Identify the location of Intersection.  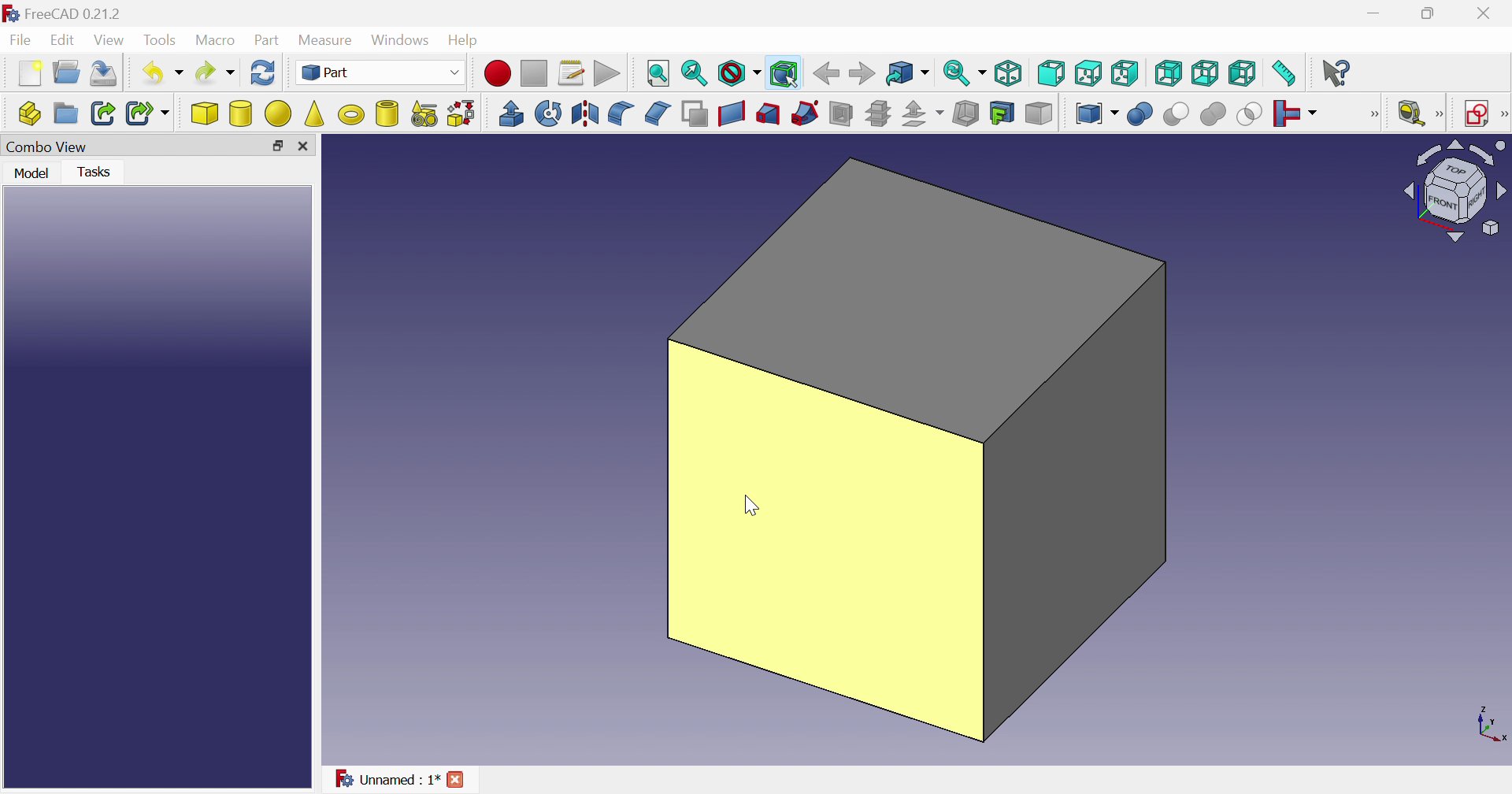
(1251, 113).